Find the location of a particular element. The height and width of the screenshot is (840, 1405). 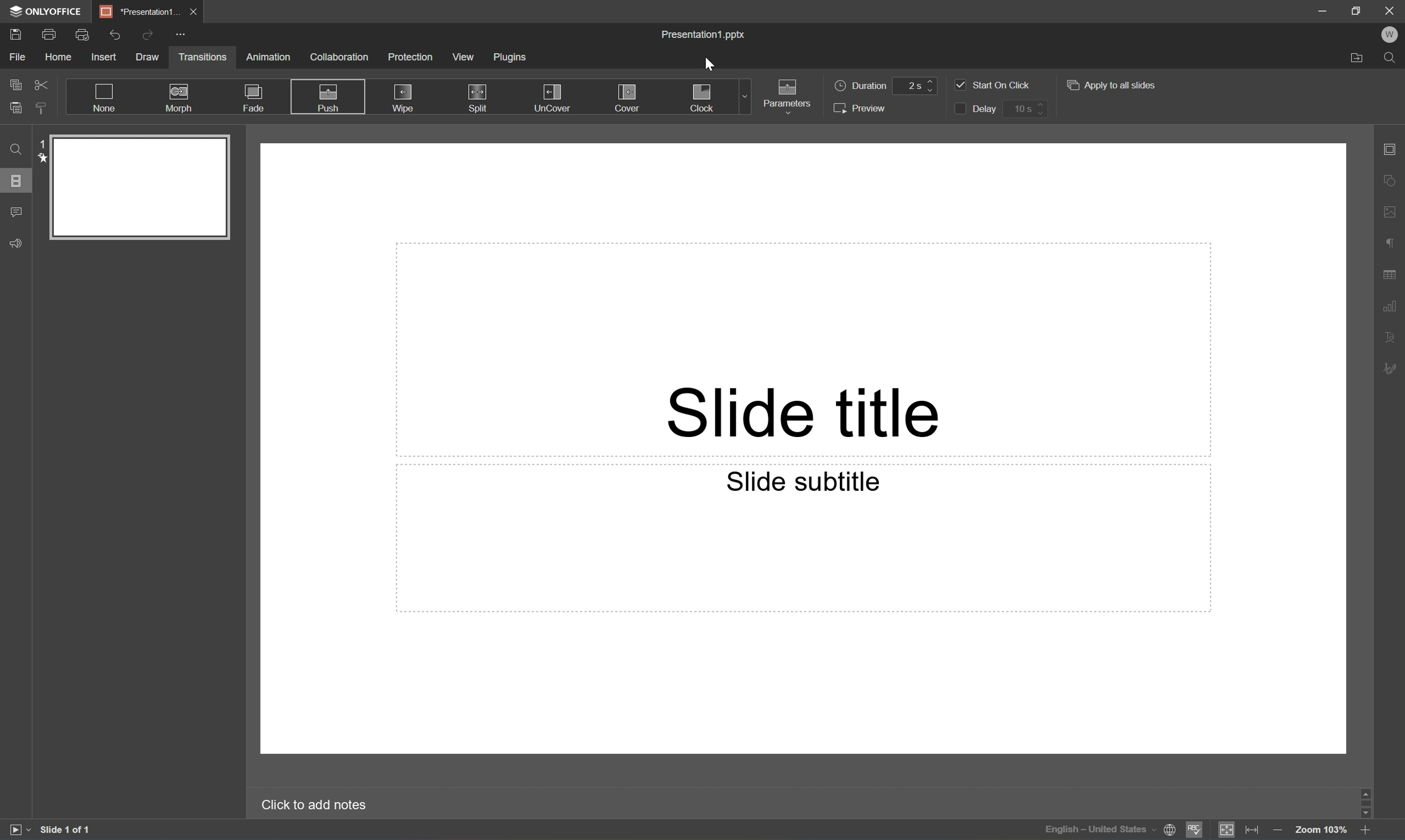

Paste is located at coordinates (17, 108).